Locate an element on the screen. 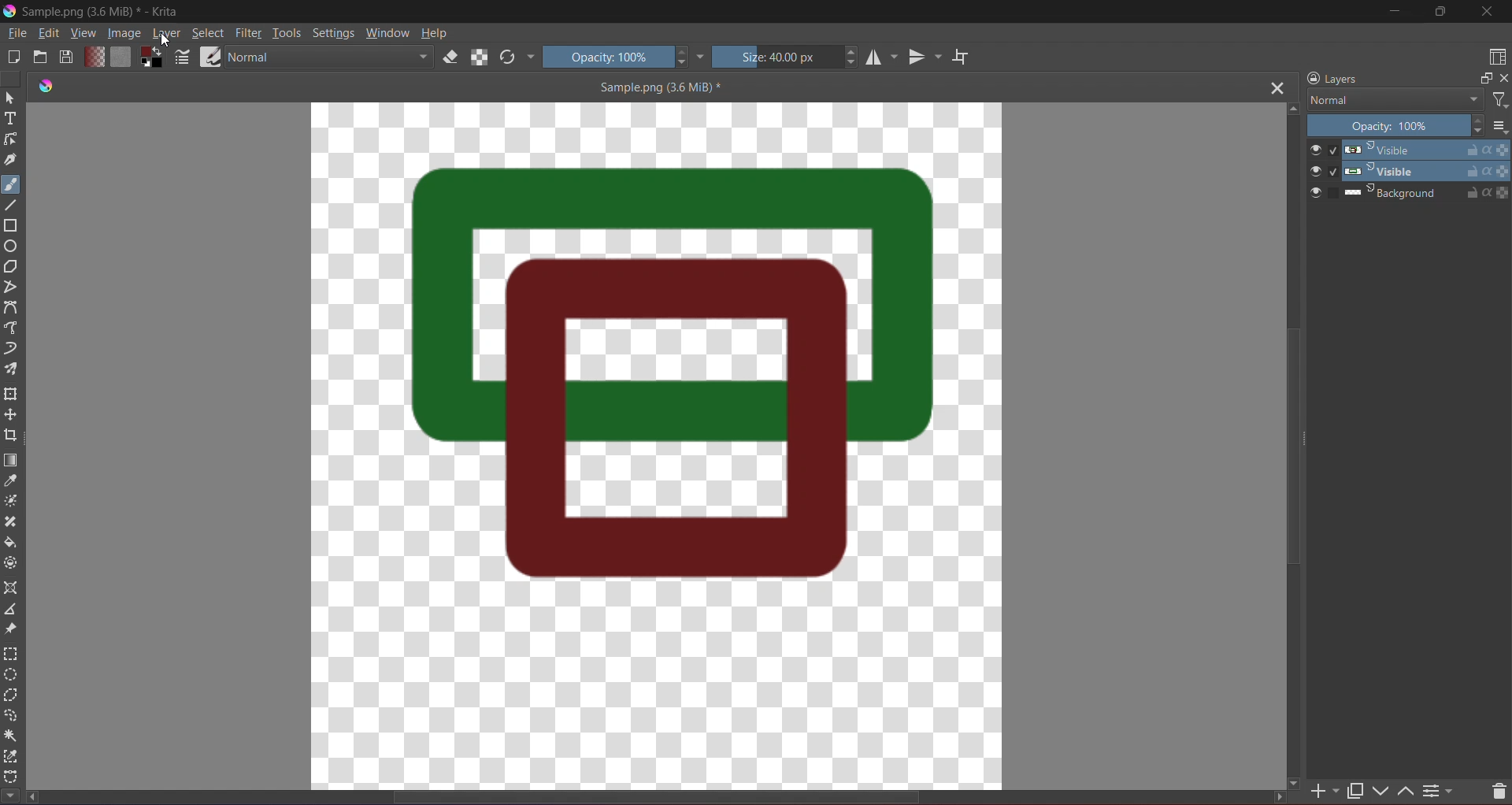  Reload is located at coordinates (508, 57).